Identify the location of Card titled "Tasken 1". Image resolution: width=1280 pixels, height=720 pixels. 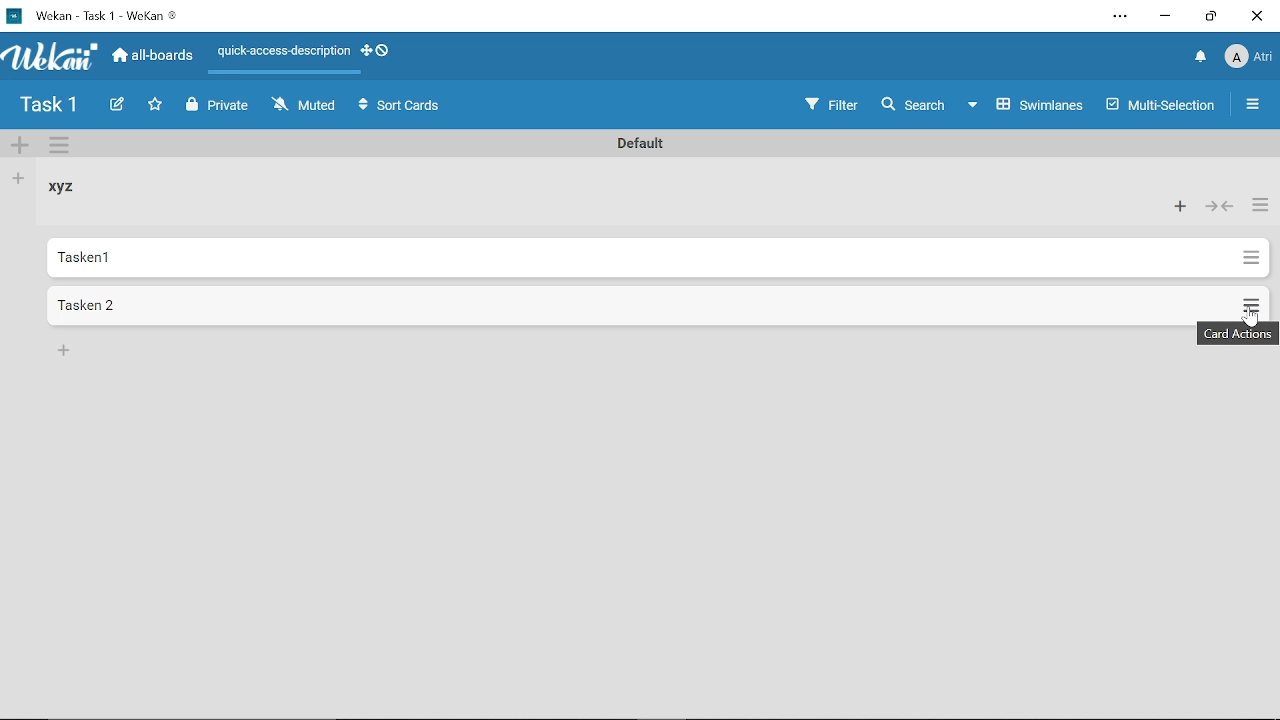
(637, 258).